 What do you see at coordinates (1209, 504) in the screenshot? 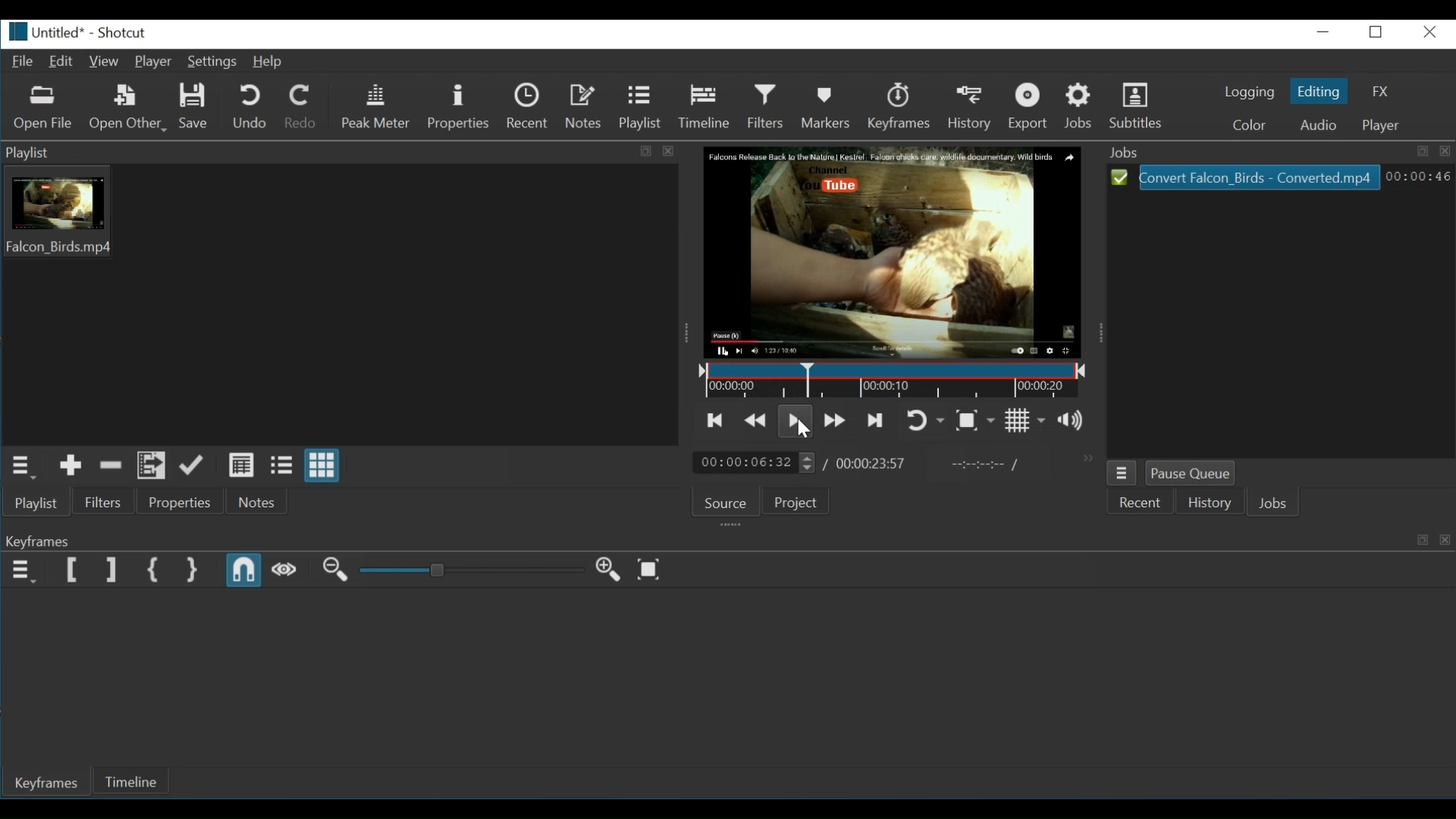
I see `History` at bounding box center [1209, 504].